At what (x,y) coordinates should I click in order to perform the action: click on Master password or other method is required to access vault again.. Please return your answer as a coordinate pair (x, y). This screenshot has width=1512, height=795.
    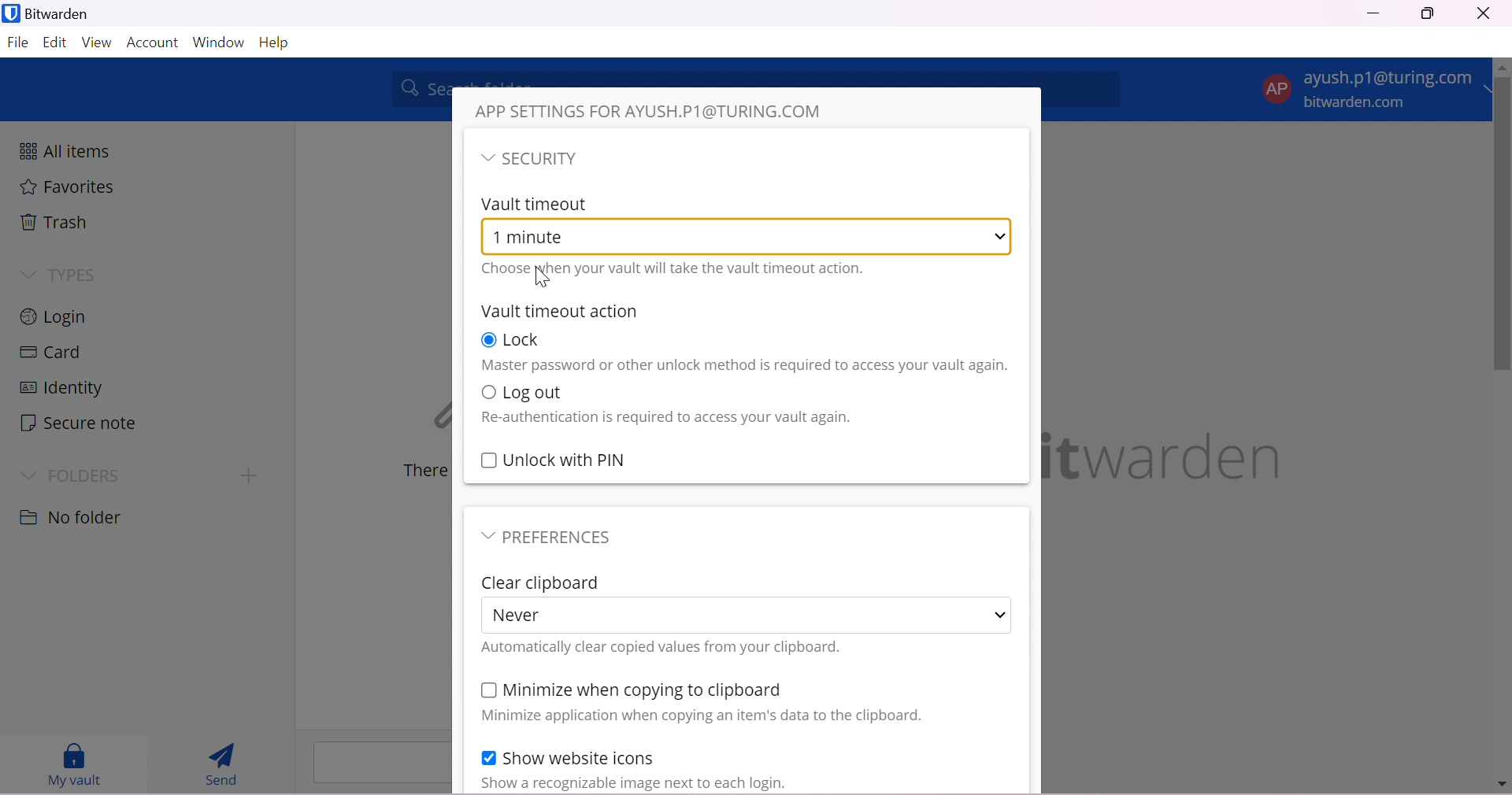
    Looking at the image, I should click on (744, 366).